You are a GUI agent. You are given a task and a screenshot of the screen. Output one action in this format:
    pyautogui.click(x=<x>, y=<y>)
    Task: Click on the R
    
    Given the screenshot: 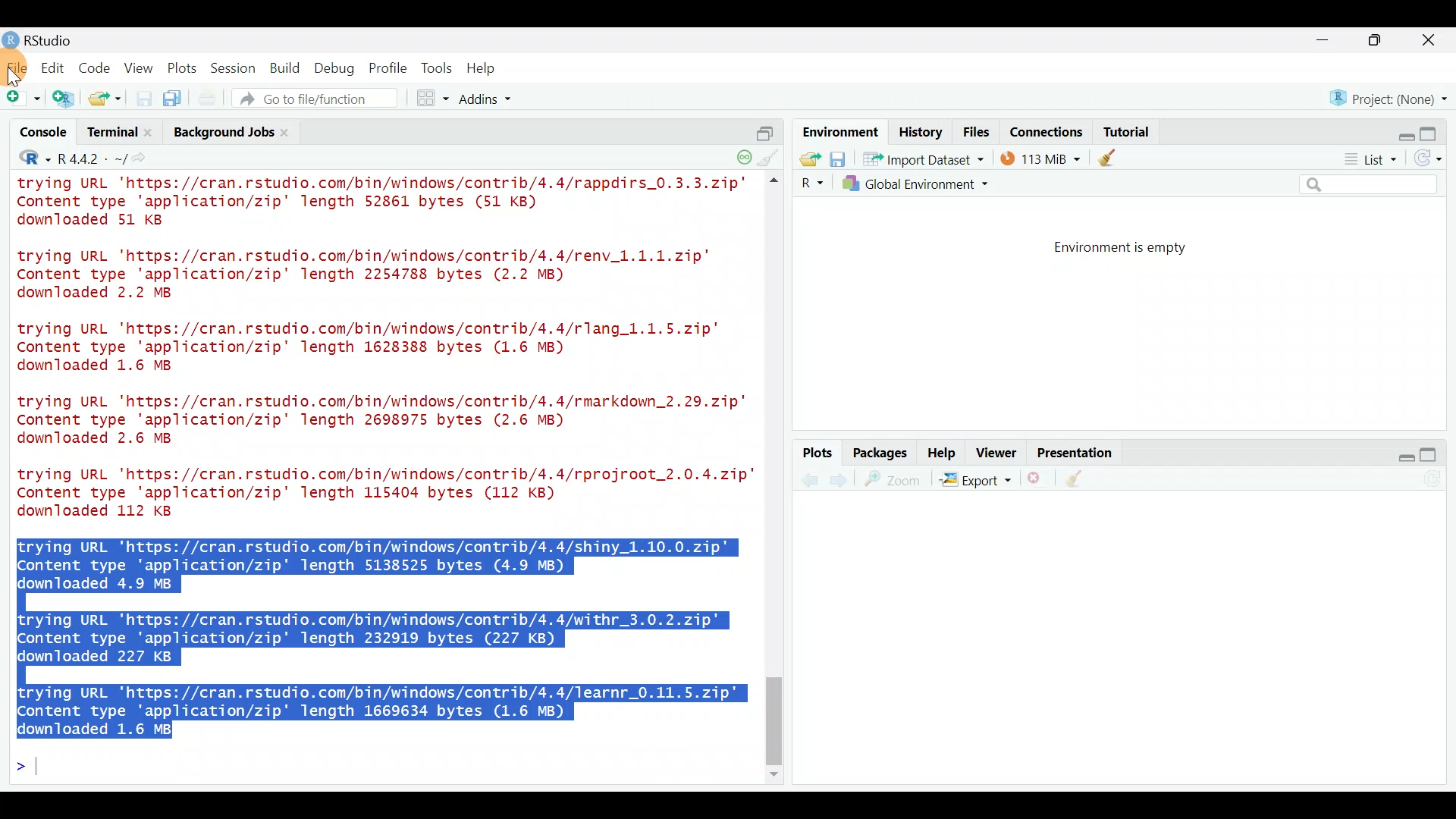 What is the action you would take?
    pyautogui.click(x=810, y=184)
    